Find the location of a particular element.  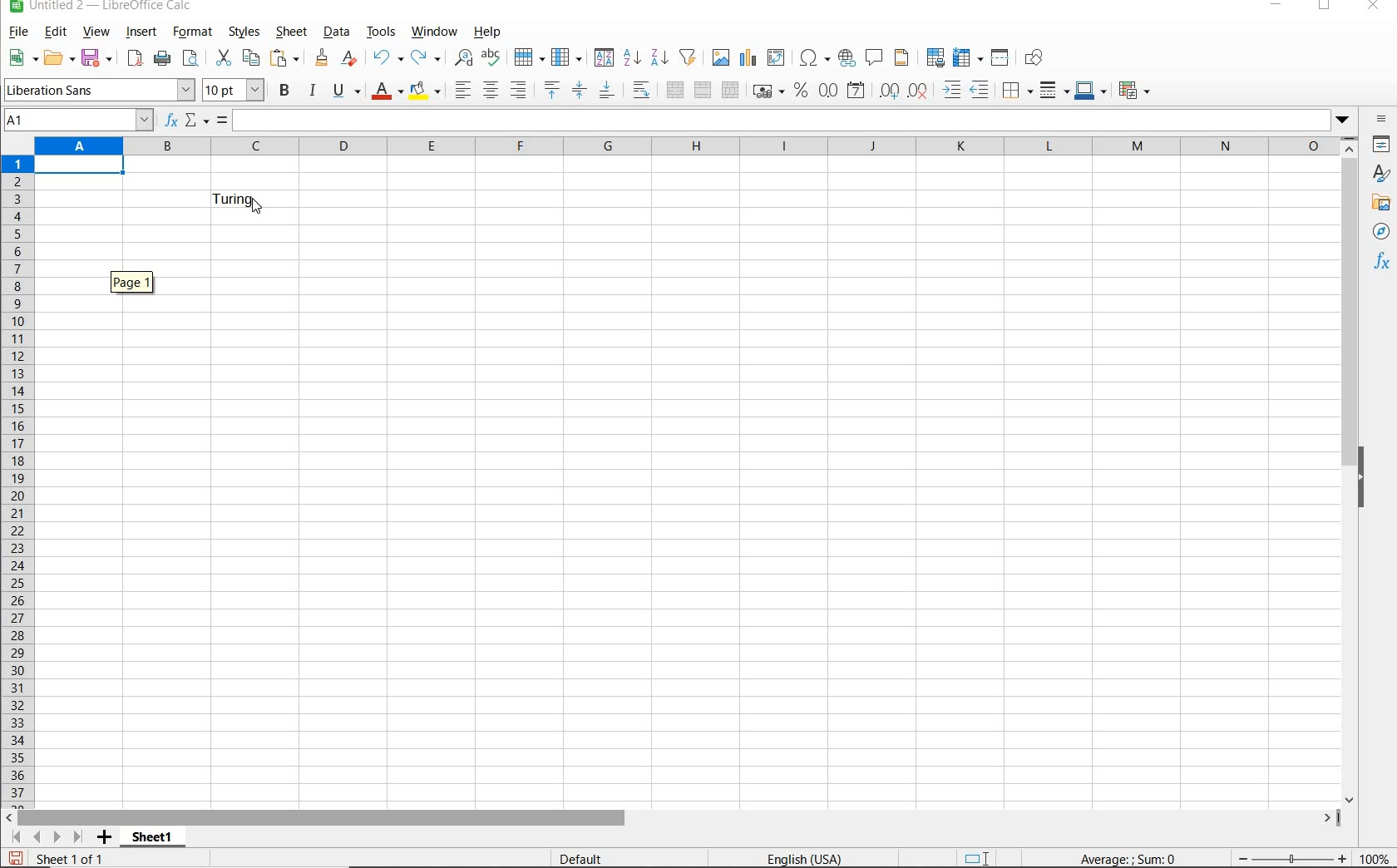

INSERT SPECIAL CHARACTERS is located at coordinates (814, 59).